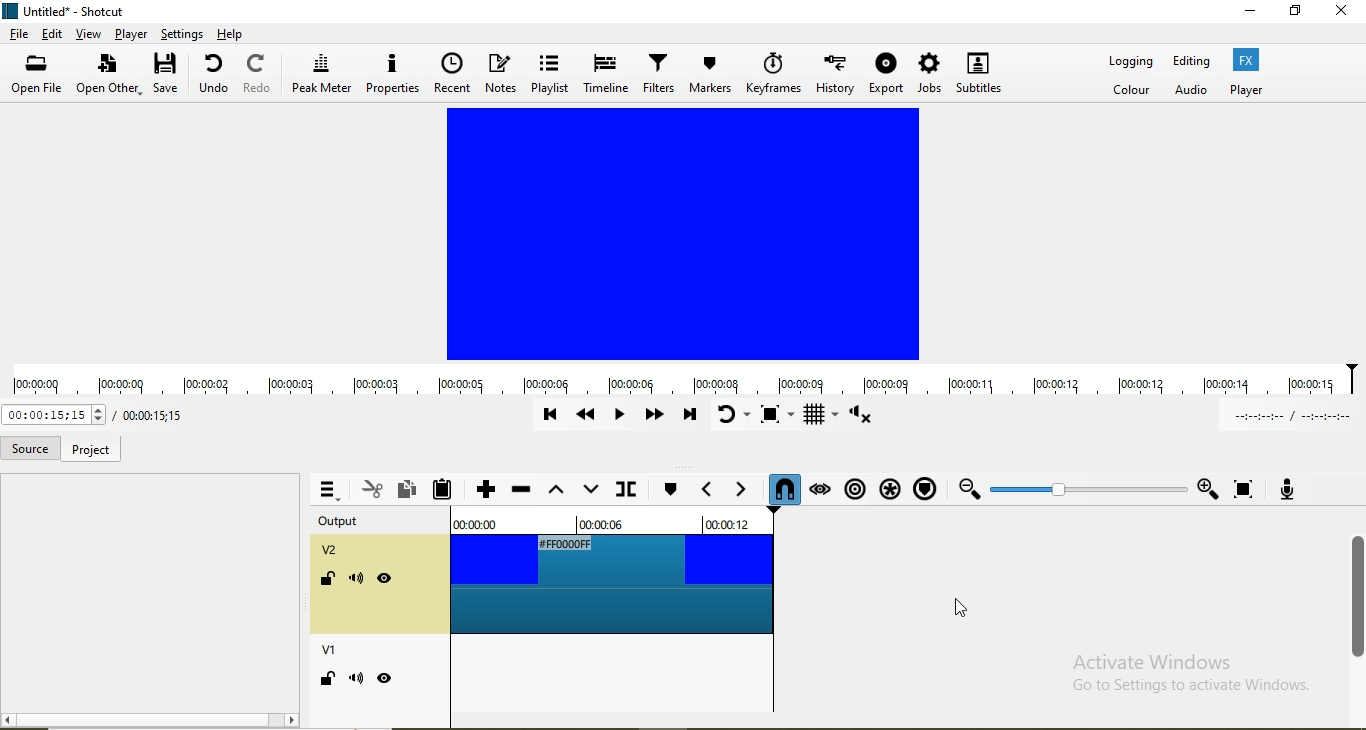  What do you see at coordinates (258, 74) in the screenshot?
I see `redo` at bounding box center [258, 74].